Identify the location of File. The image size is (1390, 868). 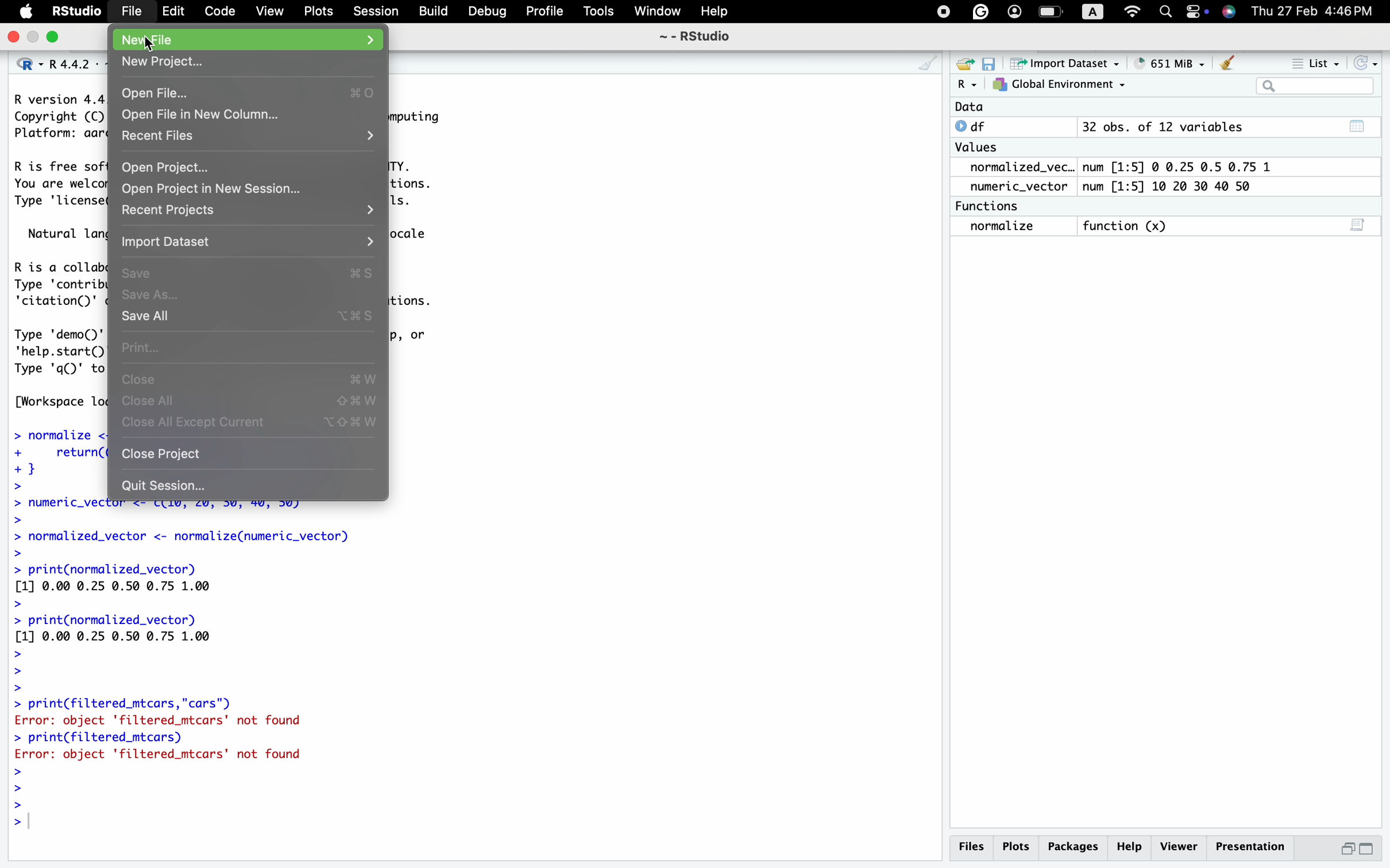
(134, 7).